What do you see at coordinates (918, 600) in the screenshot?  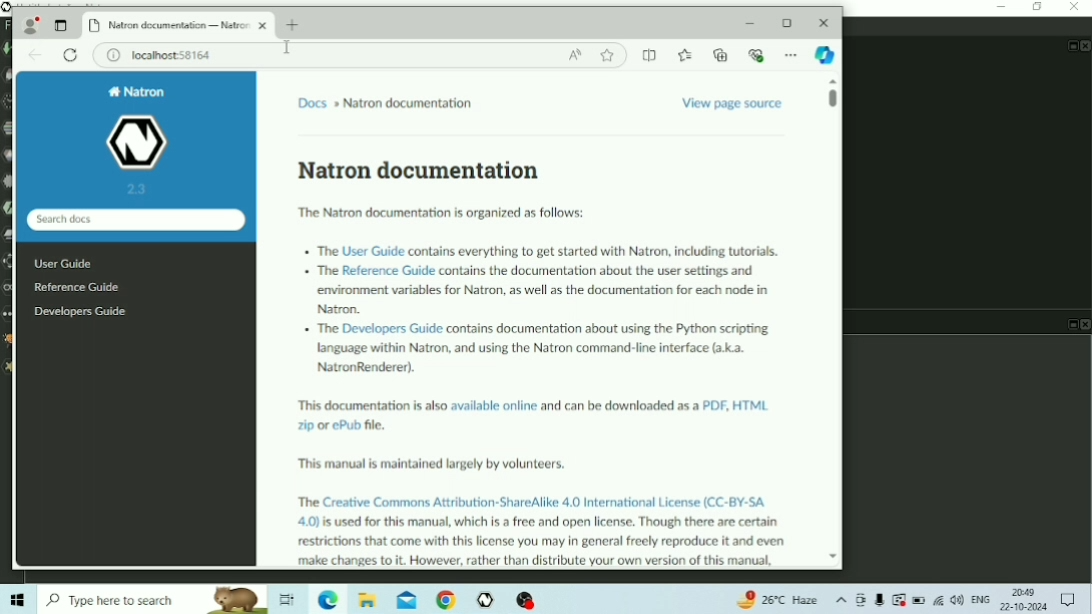 I see `Battery` at bounding box center [918, 600].